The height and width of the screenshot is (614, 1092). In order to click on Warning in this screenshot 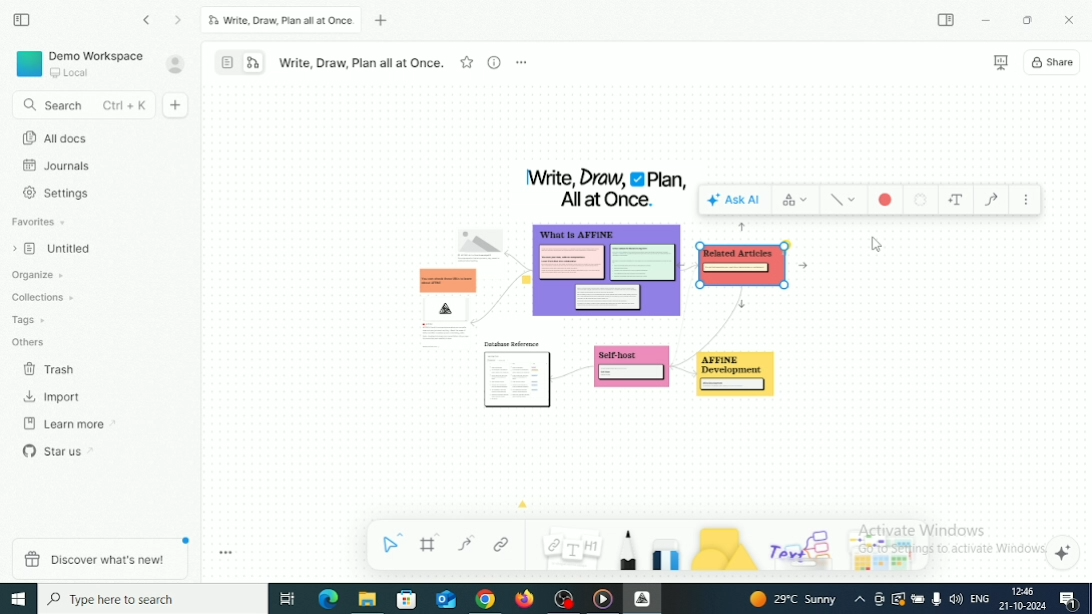, I will do `click(898, 599)`.